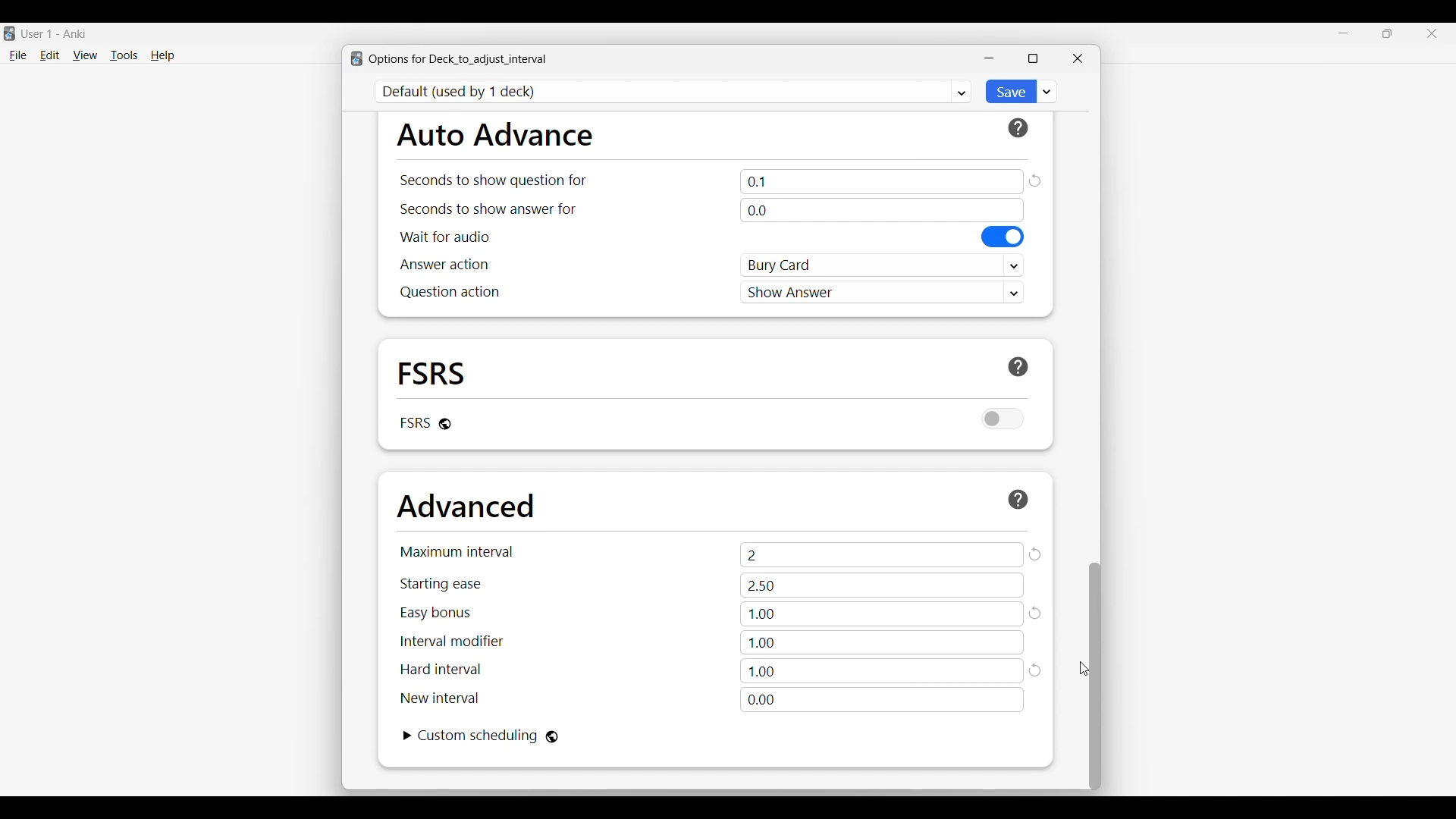  Describe the element at coordinates (445, 237) in the screenshot. I see `Indicates wait for audio` at that location.